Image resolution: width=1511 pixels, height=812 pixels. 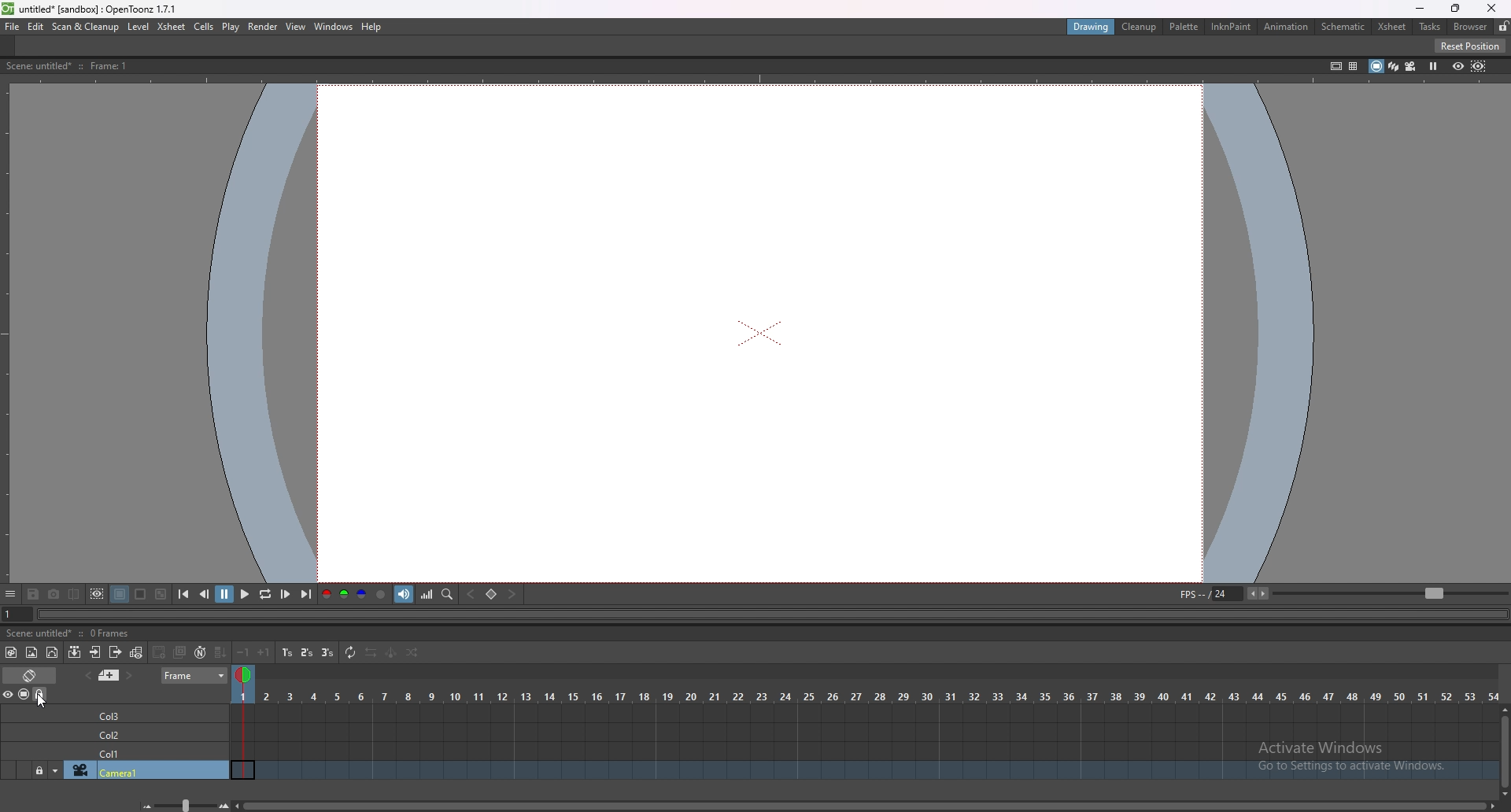 What do you see at coordinates (161, 594) in the screenshot?
I see `checkered background` at bounding box center [161, 594].